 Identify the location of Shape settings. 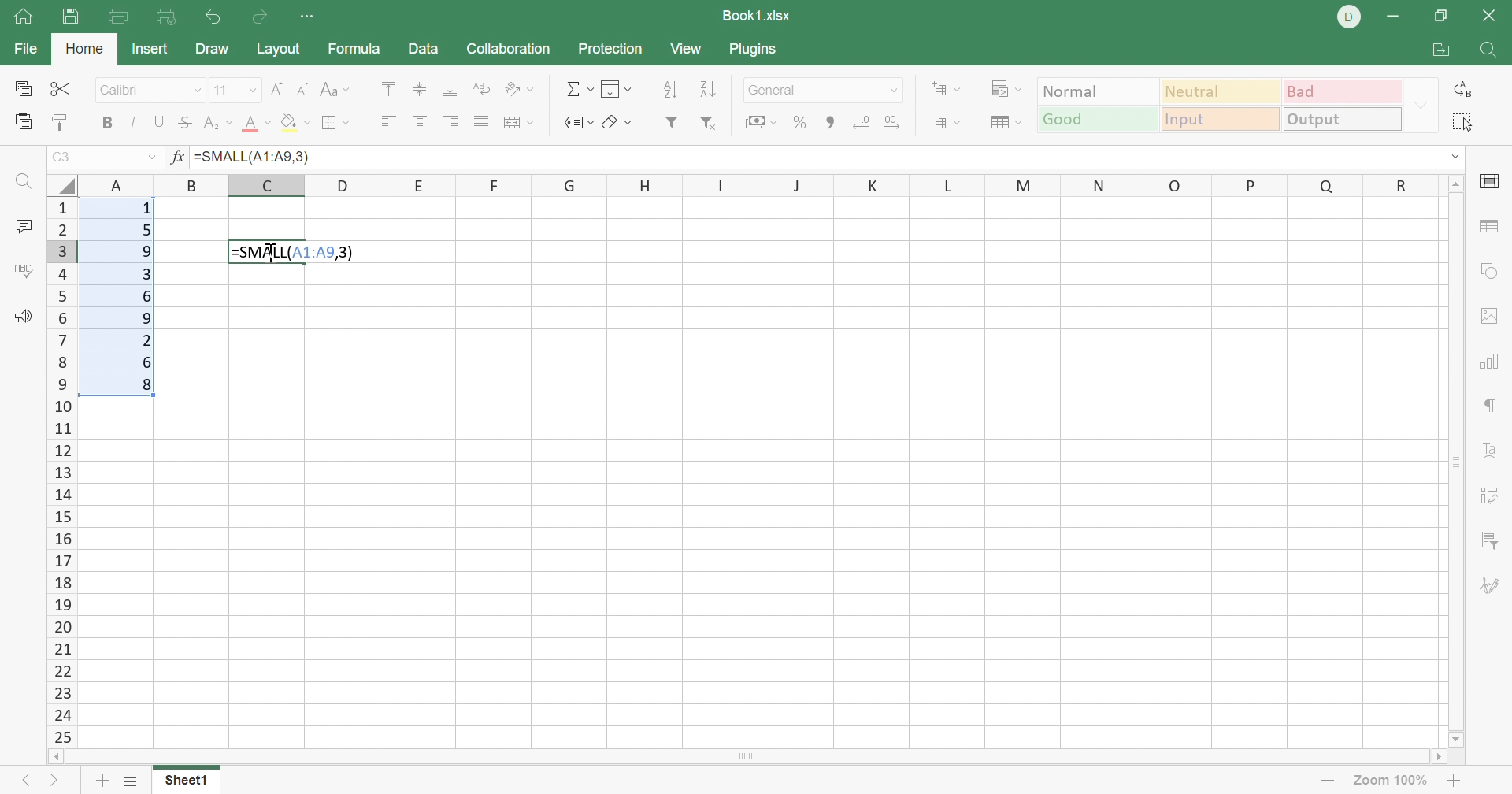
(1486, 271).